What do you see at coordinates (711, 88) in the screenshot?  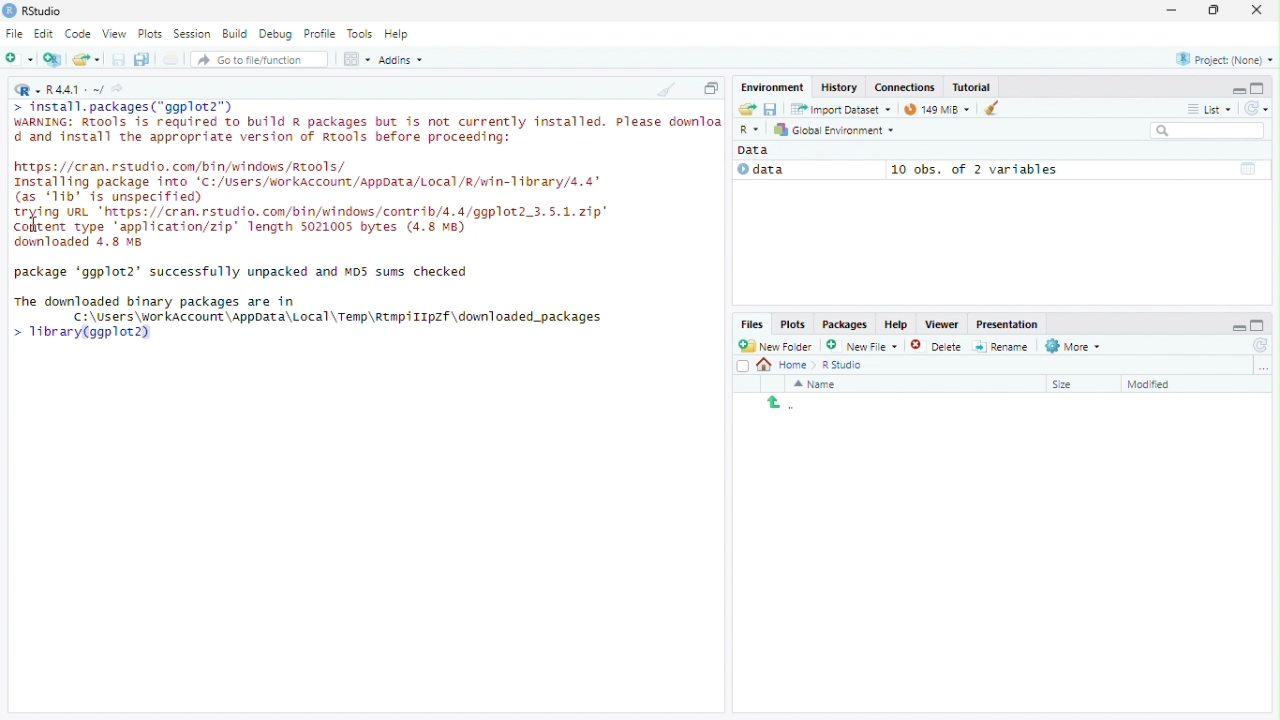 I see `Maximize` at bounding box center [711, 88].